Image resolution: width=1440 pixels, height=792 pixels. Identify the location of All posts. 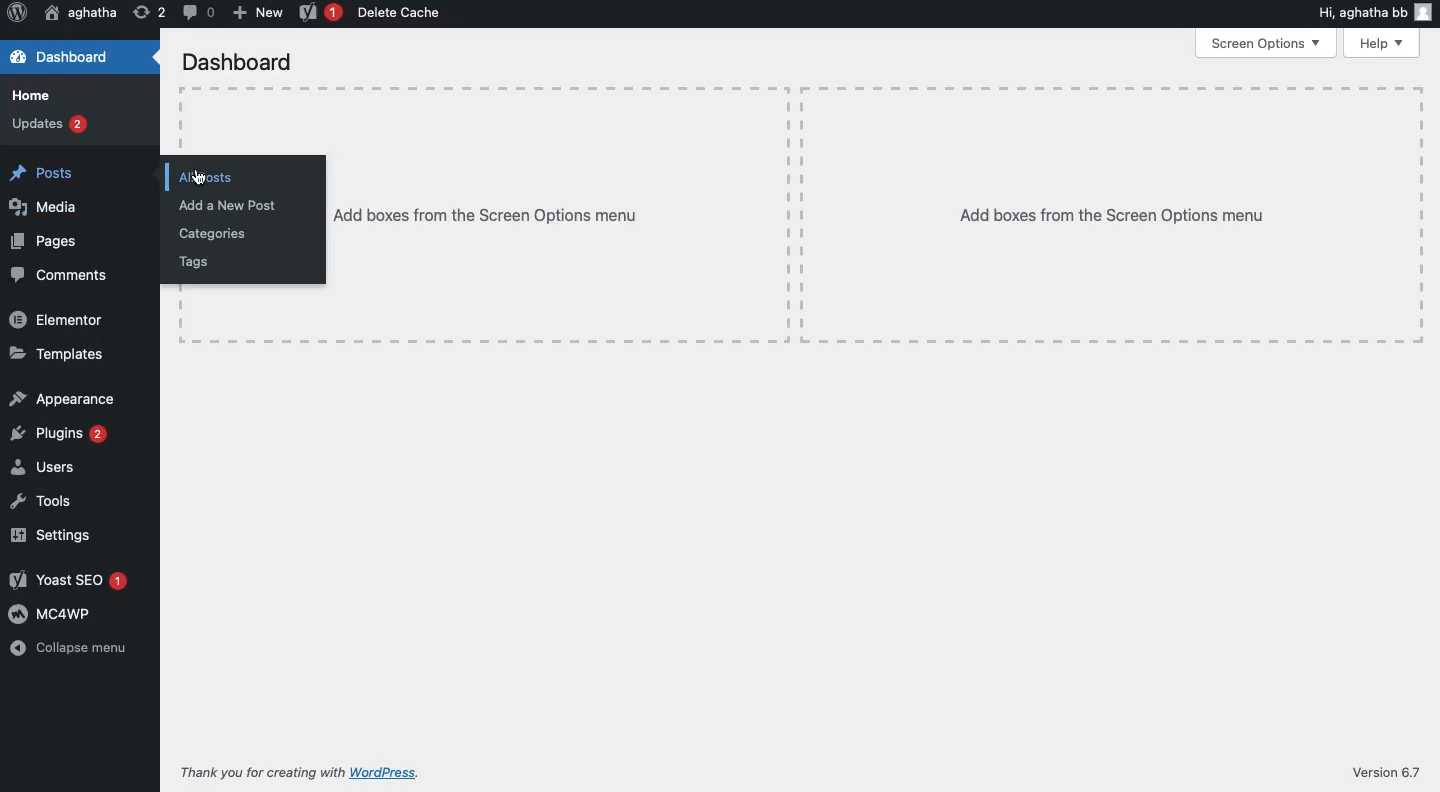
(209, 178).